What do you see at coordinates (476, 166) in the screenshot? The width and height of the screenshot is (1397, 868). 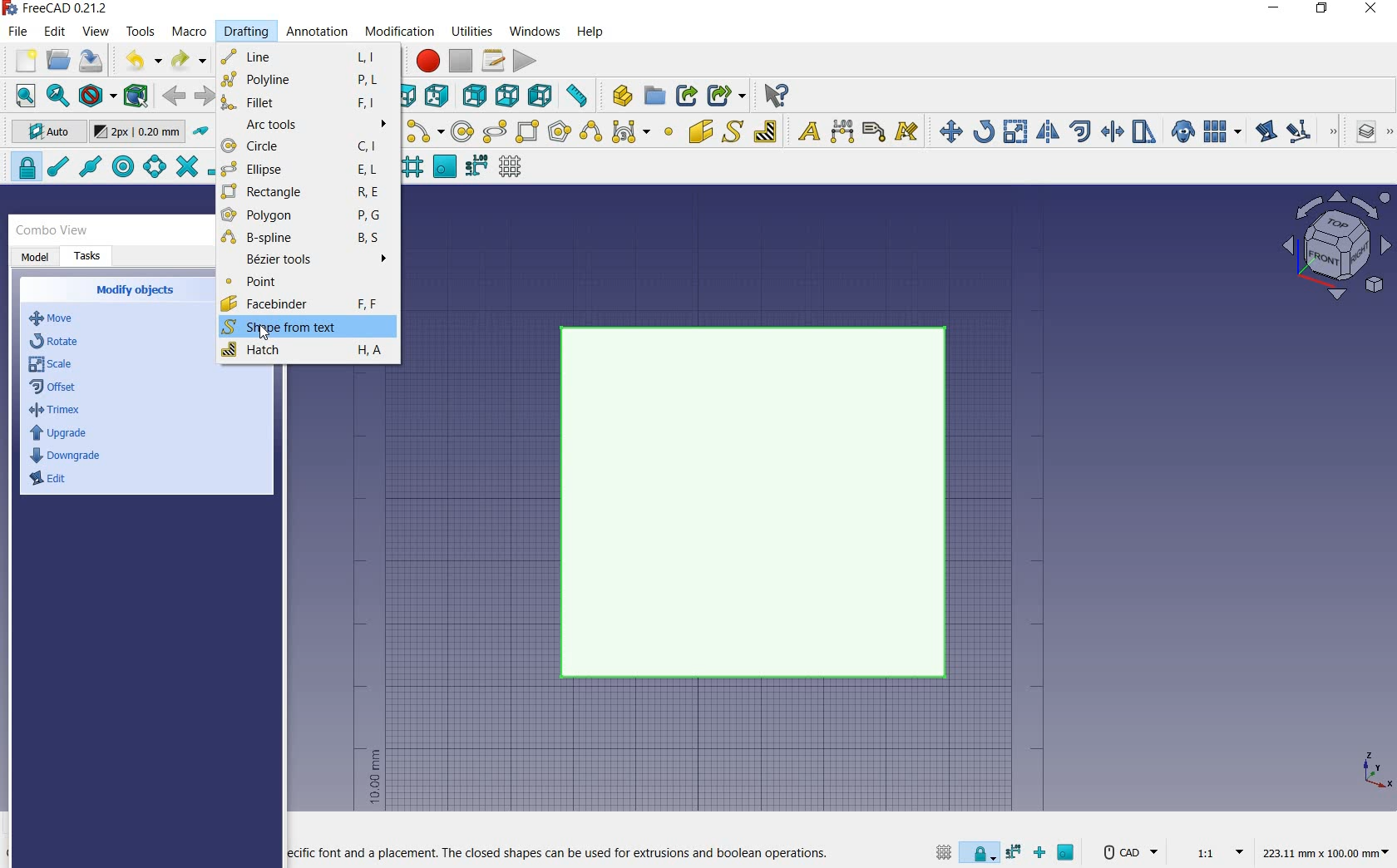 I see `snap dimensions` at bounding box center [476, 166].